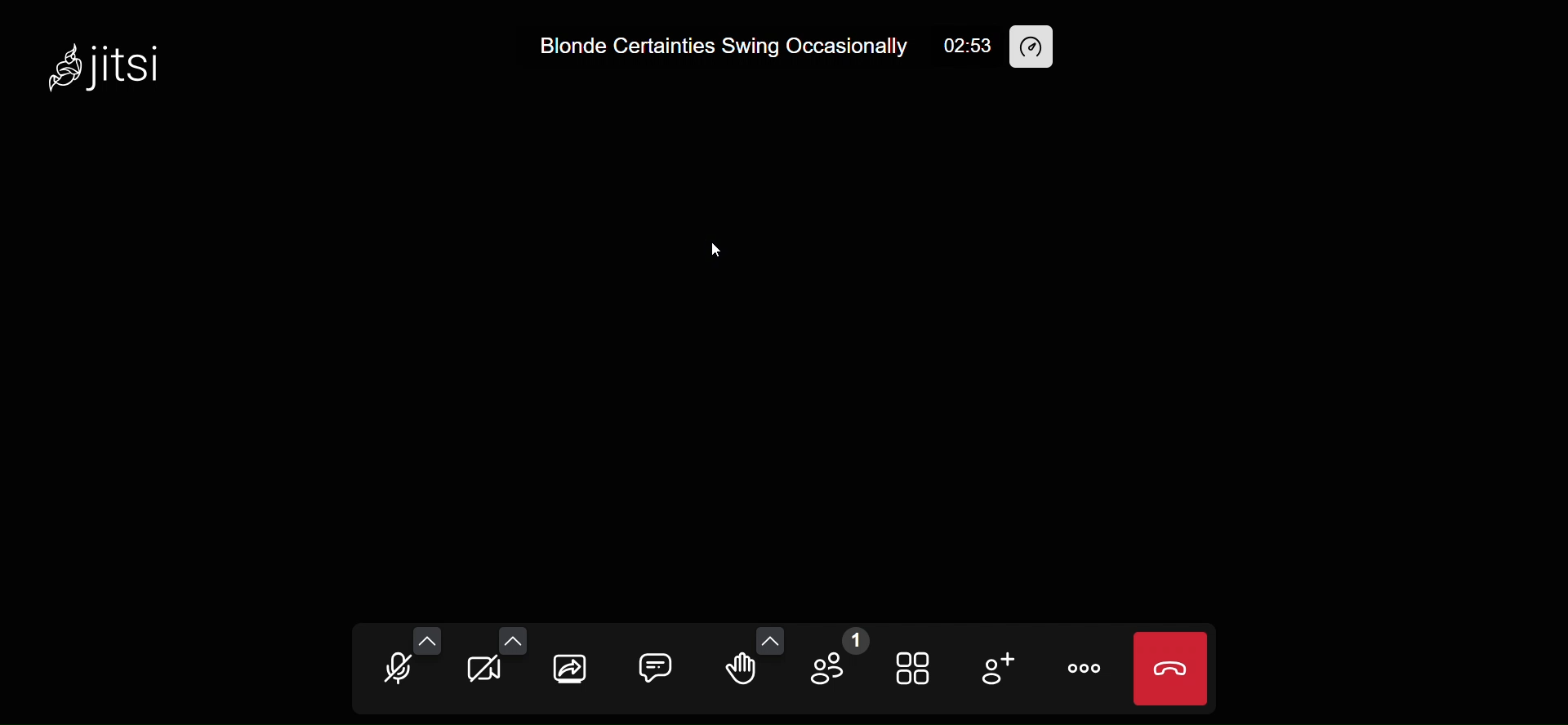  I want to click on Blonde Certainties Swing Occasionally, so click(719, 48).